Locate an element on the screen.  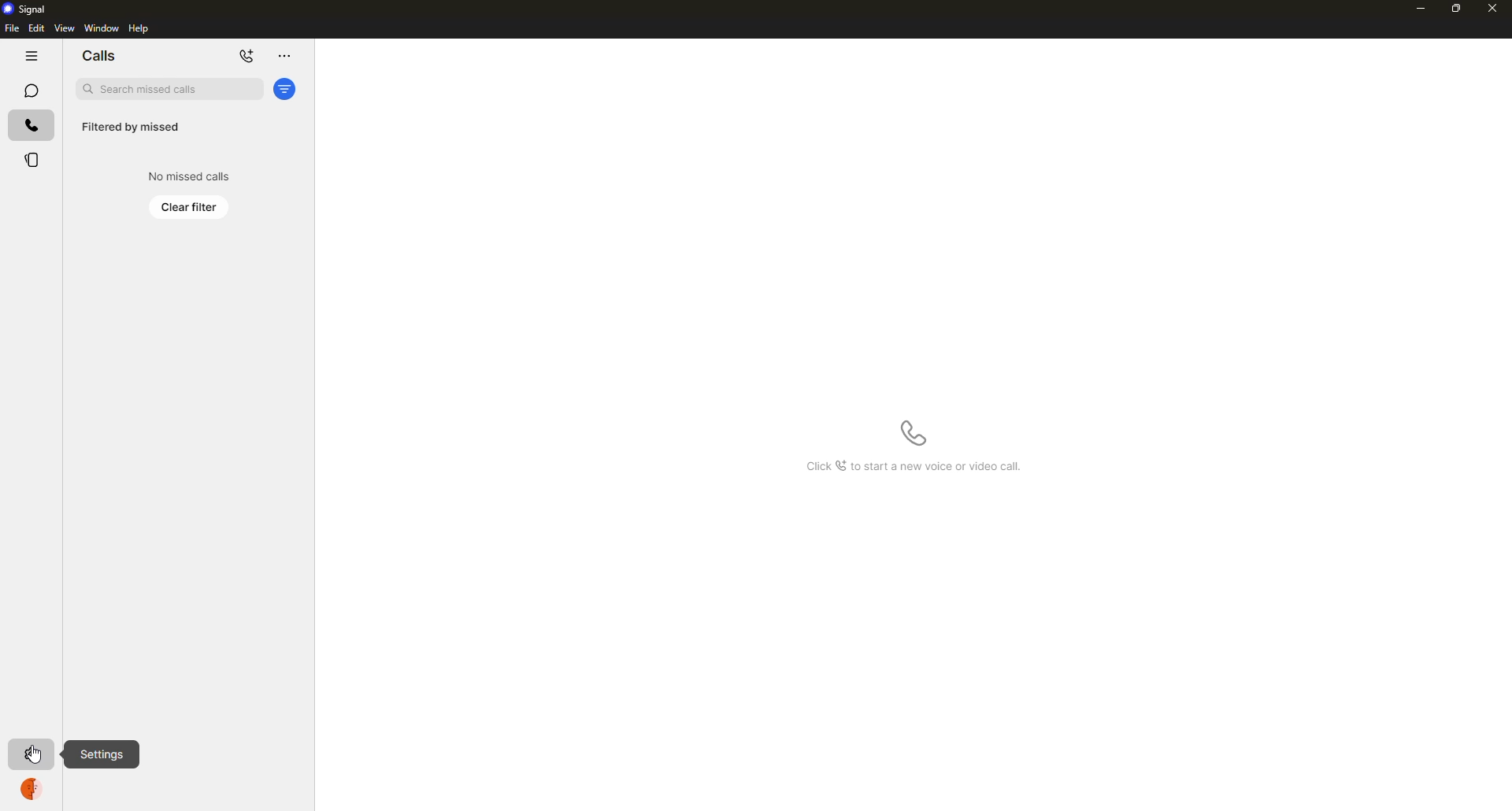
no missed calls is located at coordinates (191, 176).